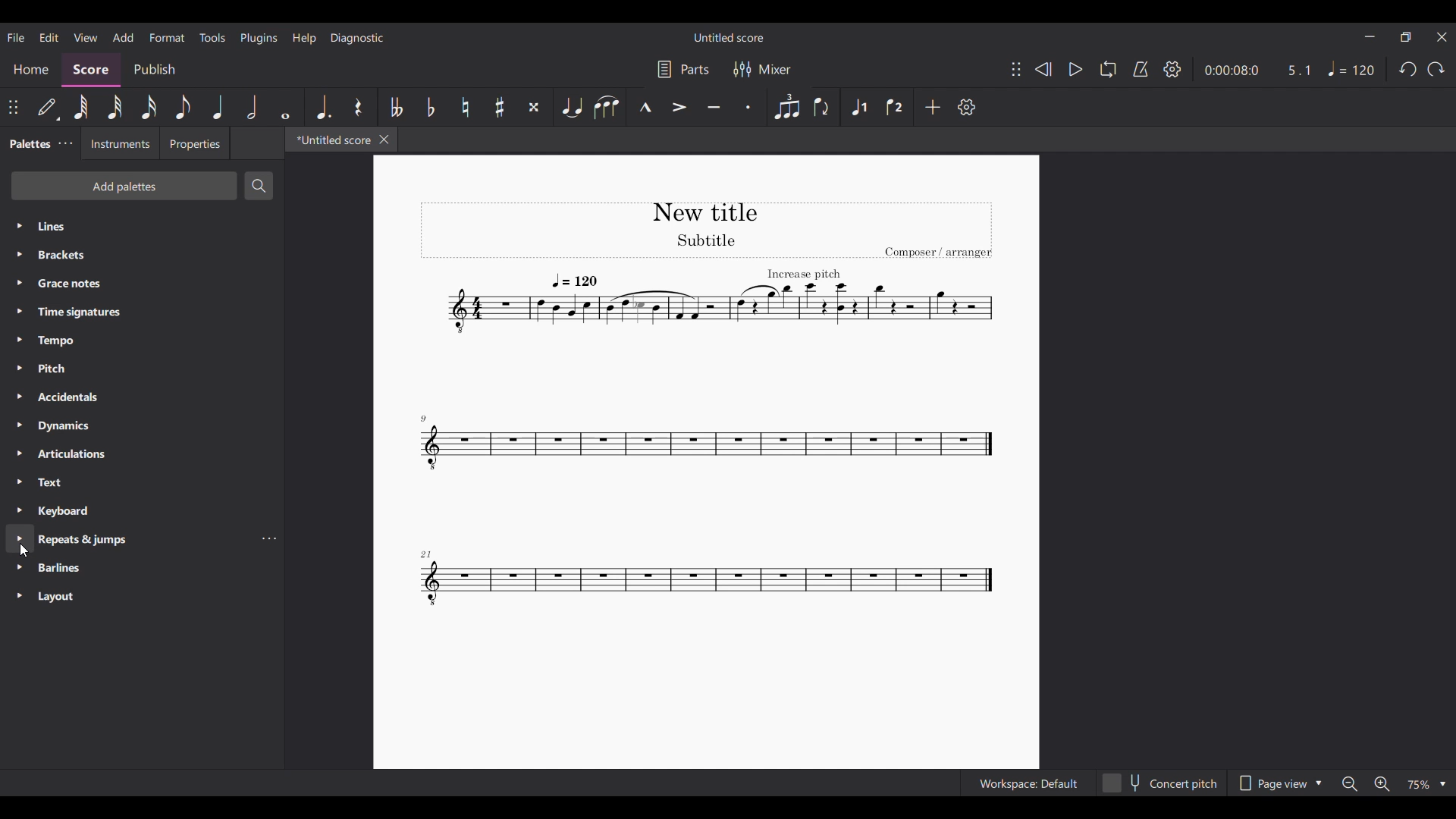 The image size is (1456, 819). I want to click on Palettes, so click(28, 144).